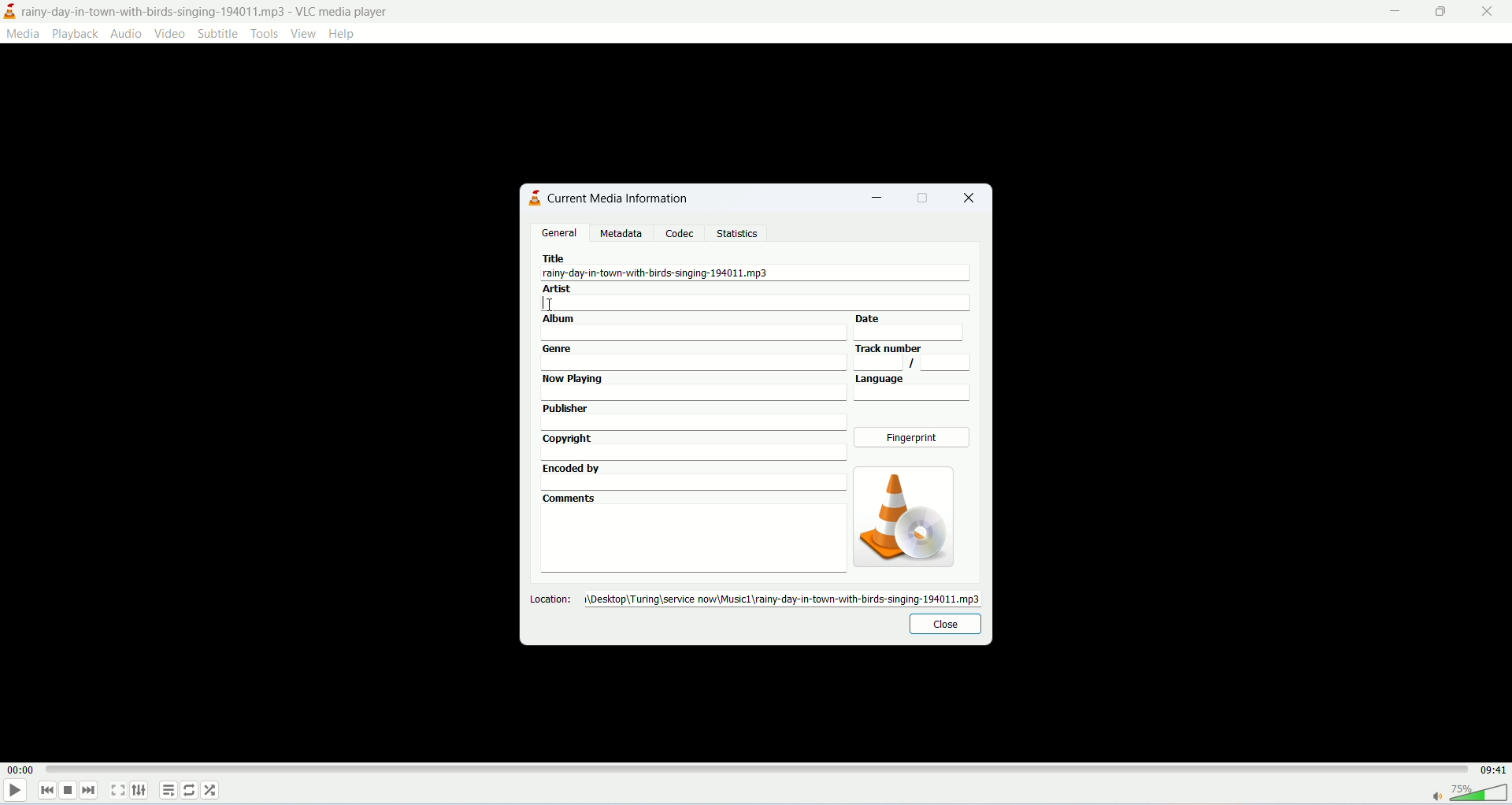 This screenshot has width=1512, height=805. What do you see at coordinates (924, 198) in the screenshot?
I see `maximize` at bounding box center [924, 198].